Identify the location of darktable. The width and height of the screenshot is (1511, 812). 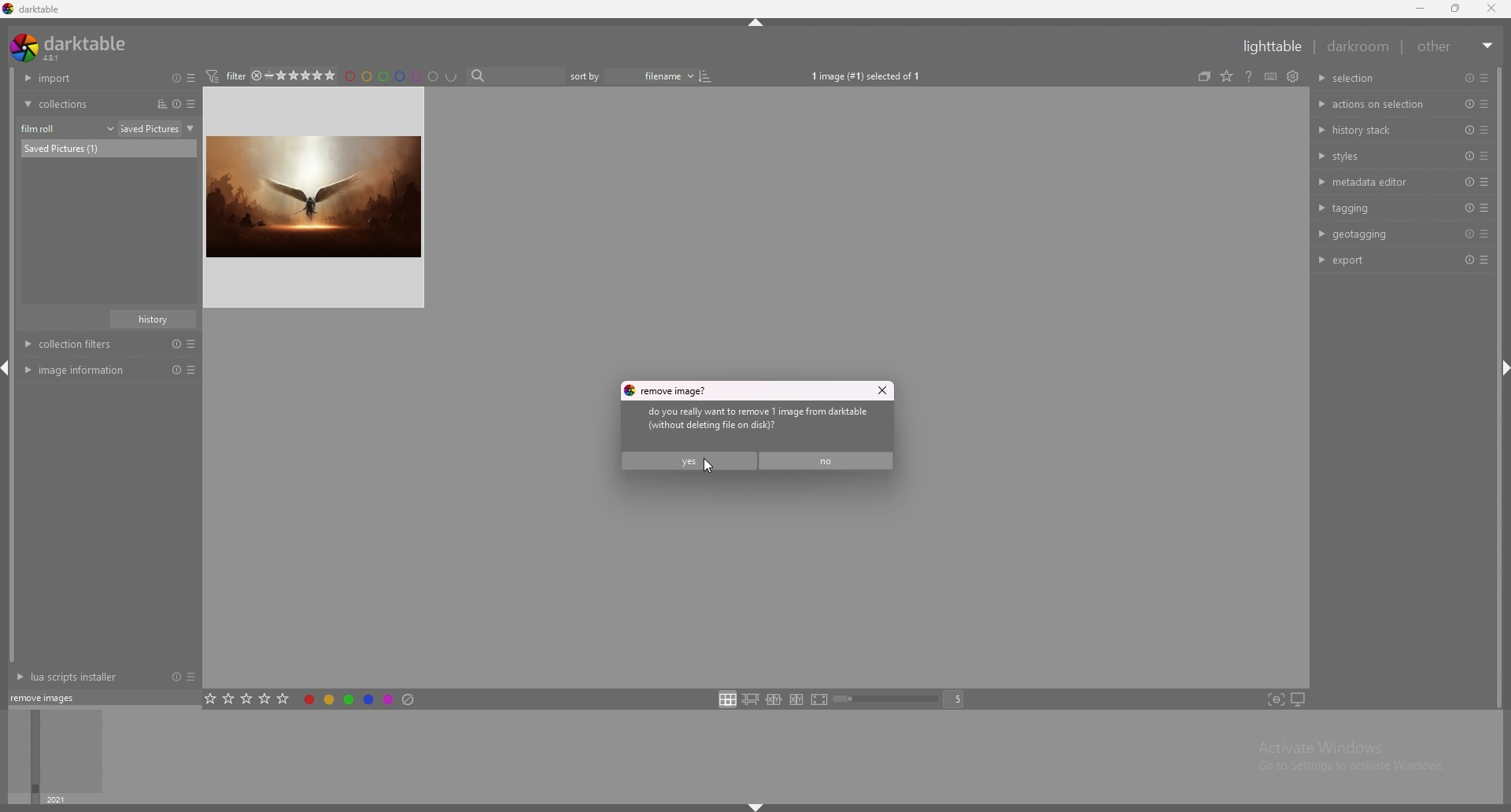
(72, 47).